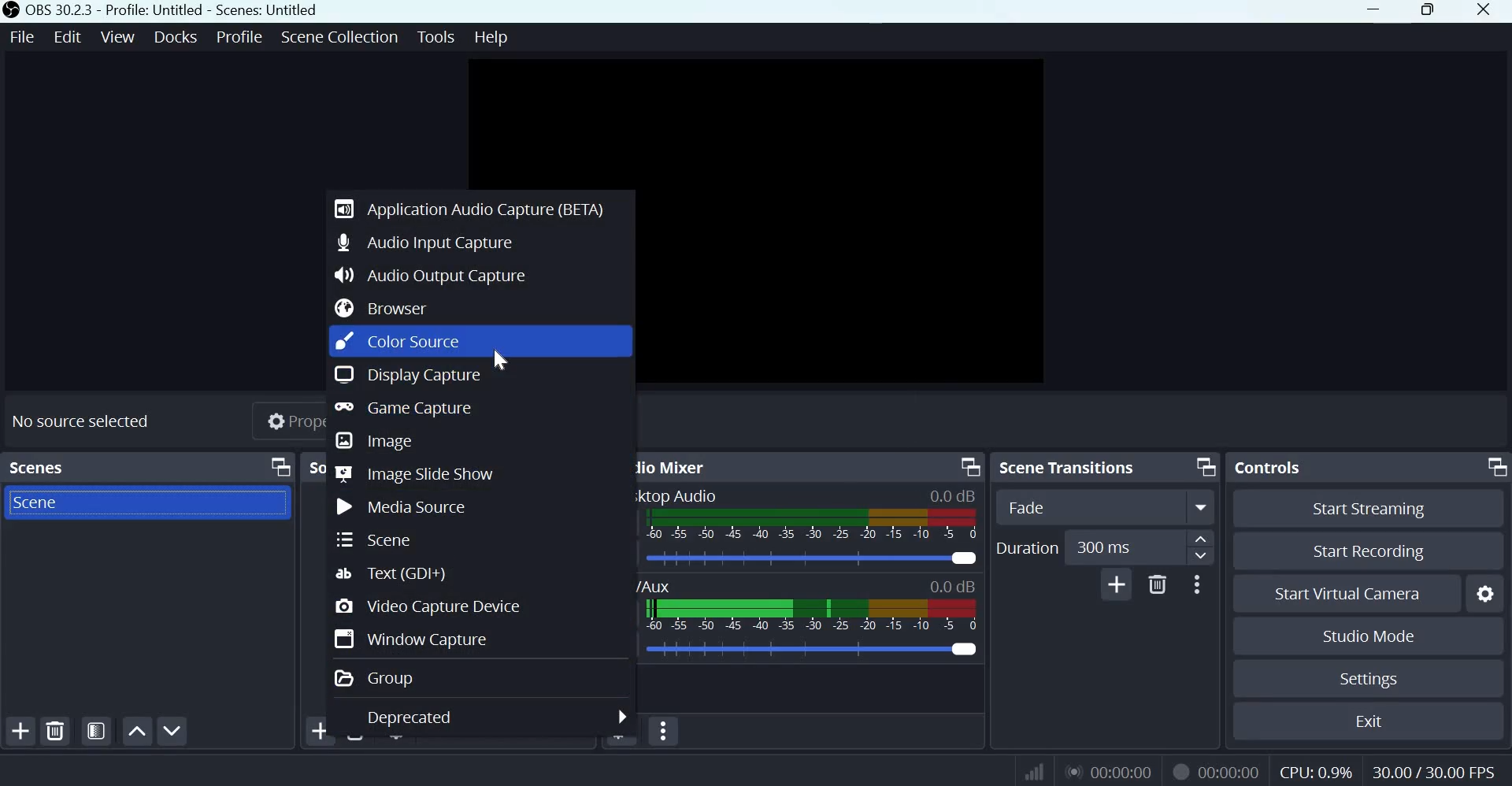  I want to click on OBS 30.2.3 - Profile: Untitled - Scenes: Untitled, so click(173, 11).